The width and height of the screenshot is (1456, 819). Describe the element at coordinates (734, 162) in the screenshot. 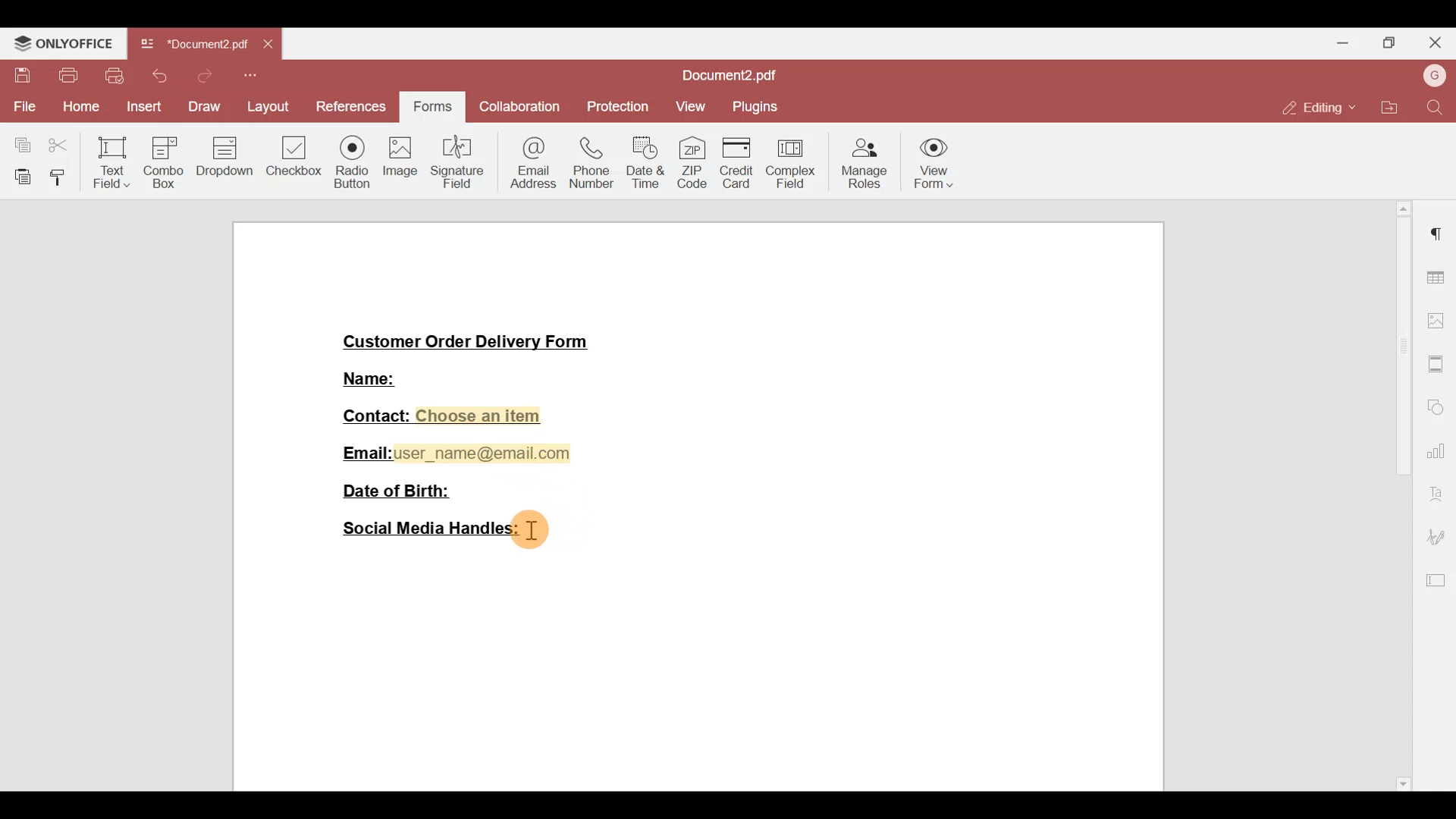

I see `Credit card` at that location.